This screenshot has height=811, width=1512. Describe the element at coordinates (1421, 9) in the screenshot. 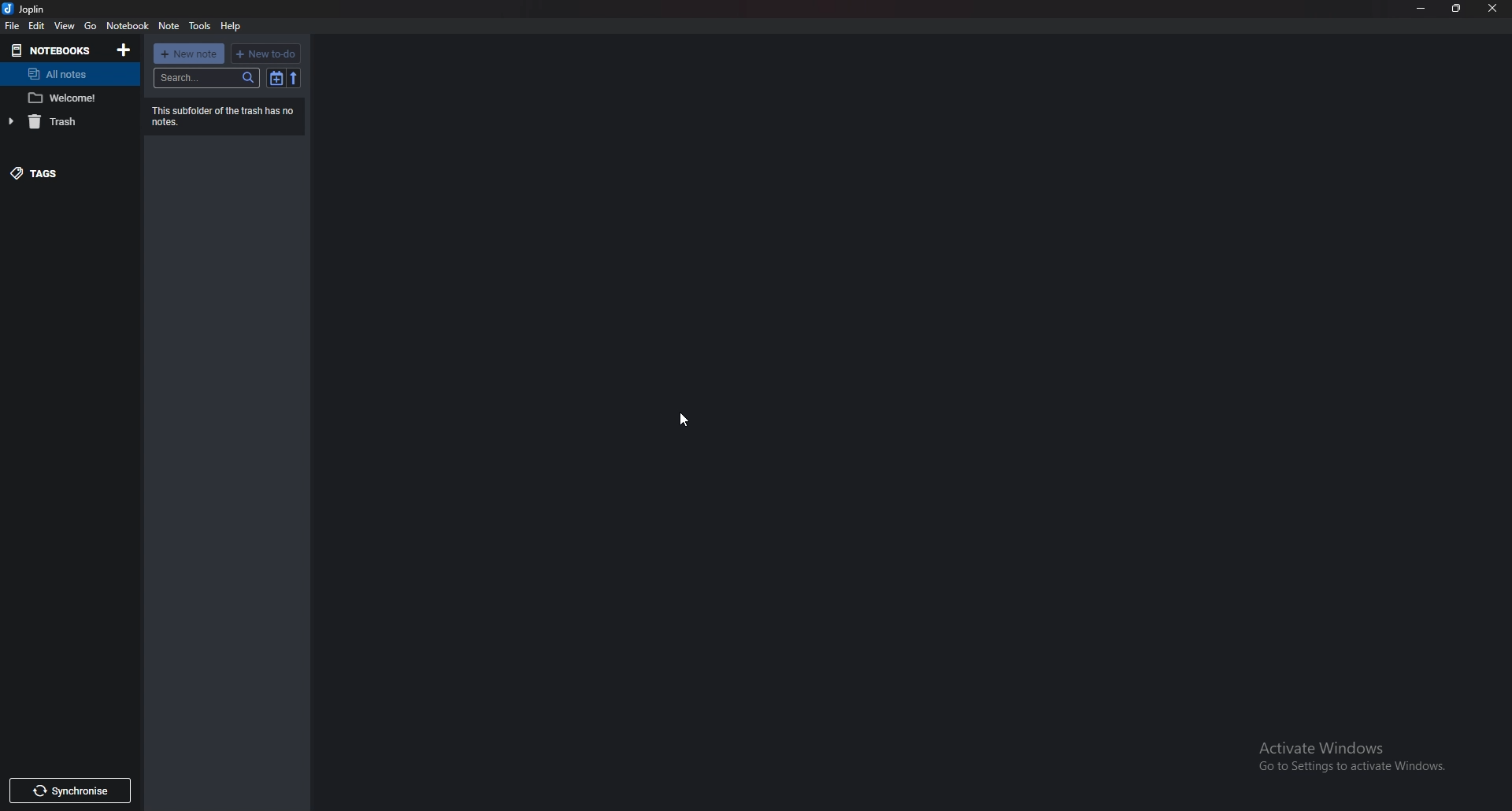

I see `Minimize` at that location.